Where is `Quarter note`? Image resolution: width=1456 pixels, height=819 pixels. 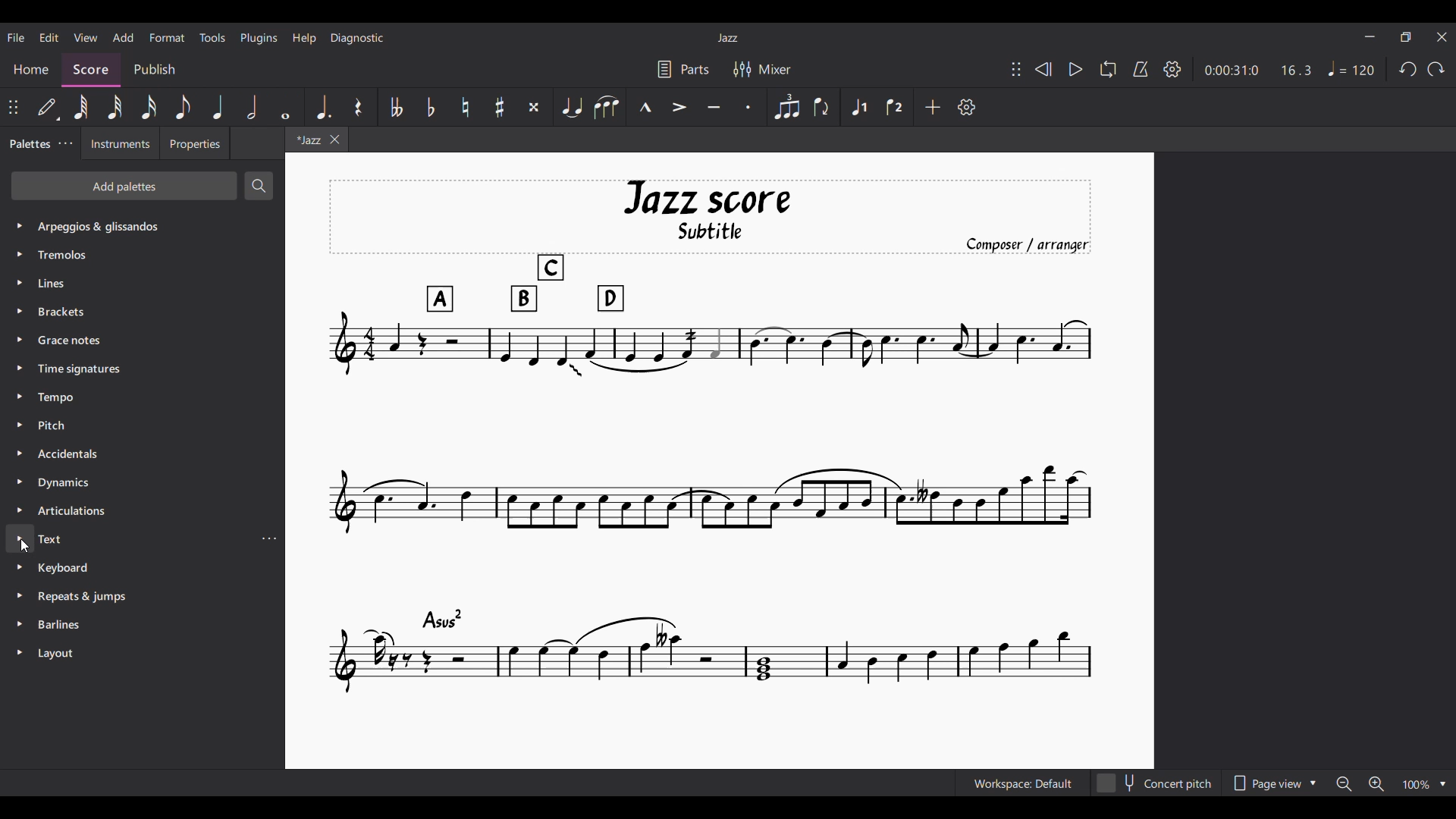
Quarter note is located at coordinates (218, 107).